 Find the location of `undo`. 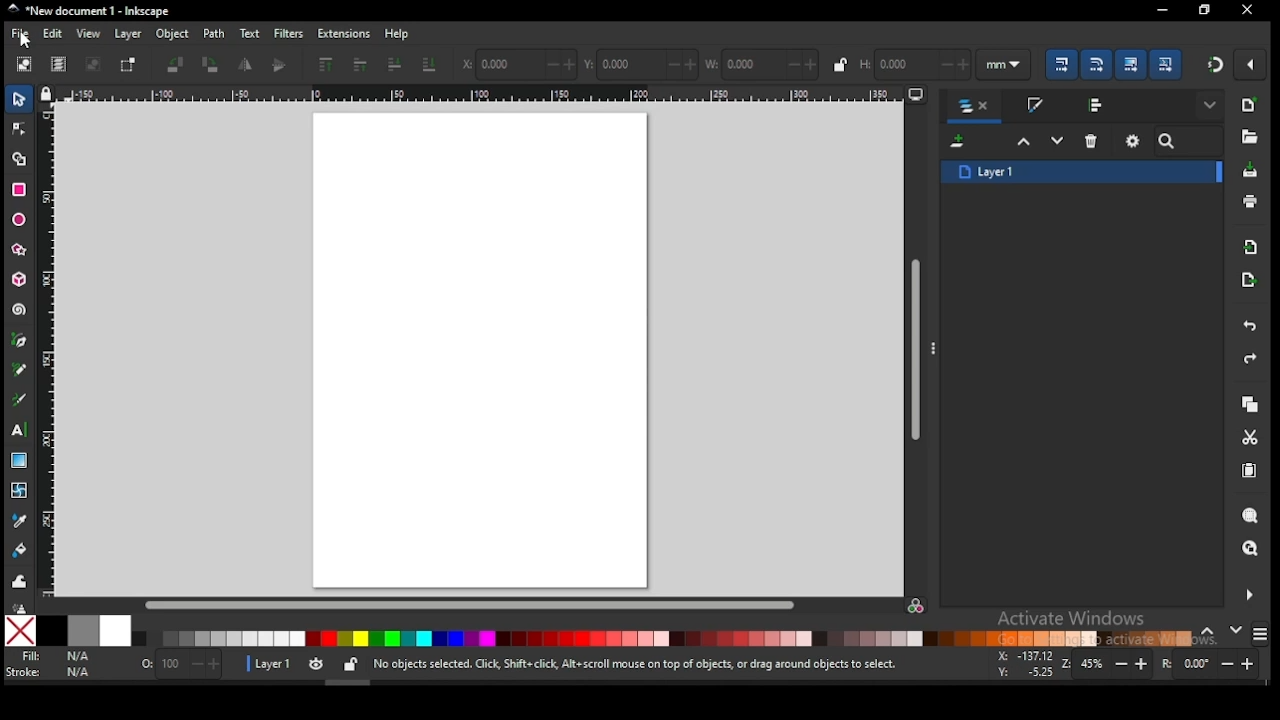

undo is located at coordinates (1250, 327).